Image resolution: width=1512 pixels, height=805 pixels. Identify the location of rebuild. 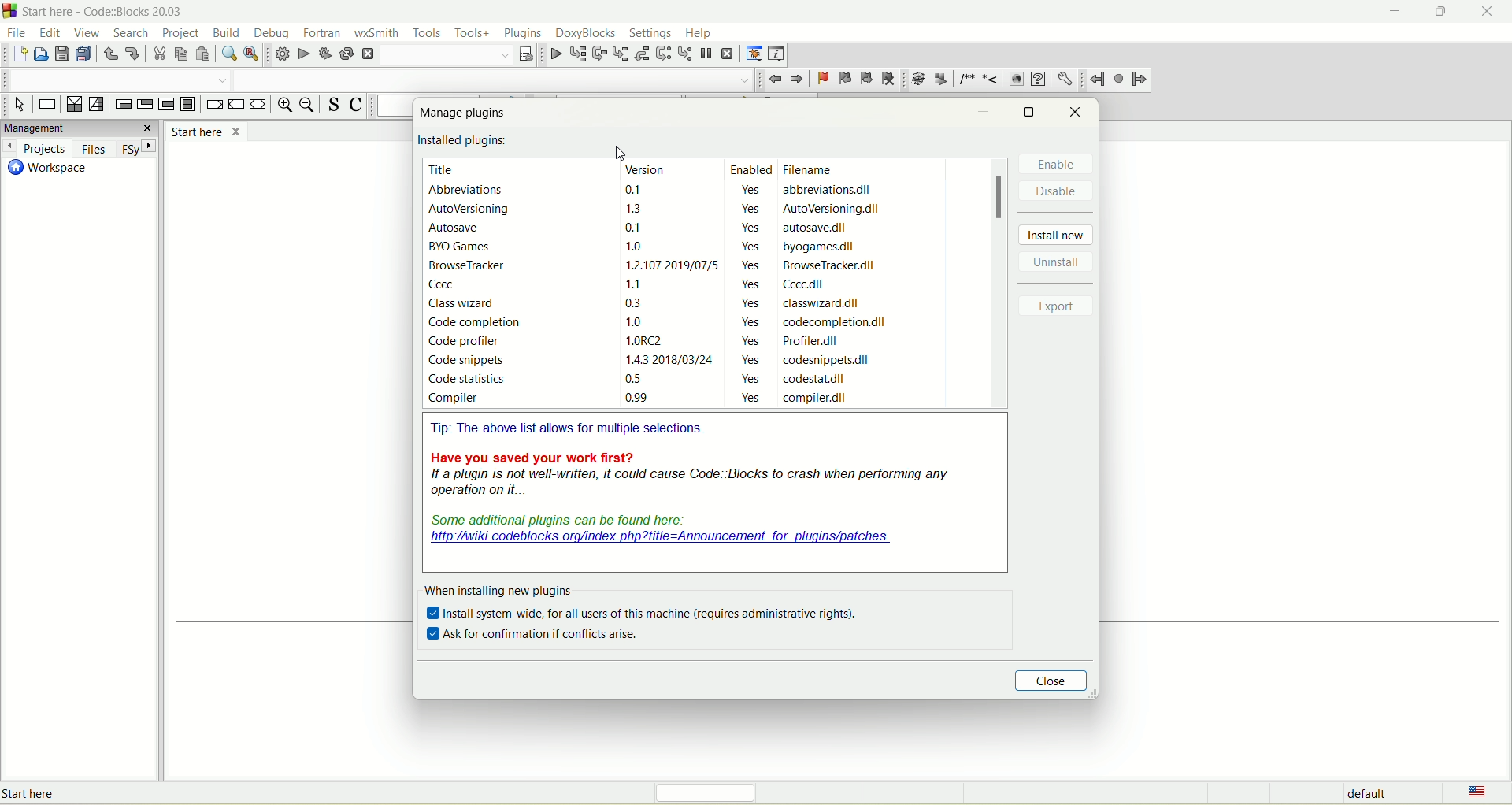
(348, 54).